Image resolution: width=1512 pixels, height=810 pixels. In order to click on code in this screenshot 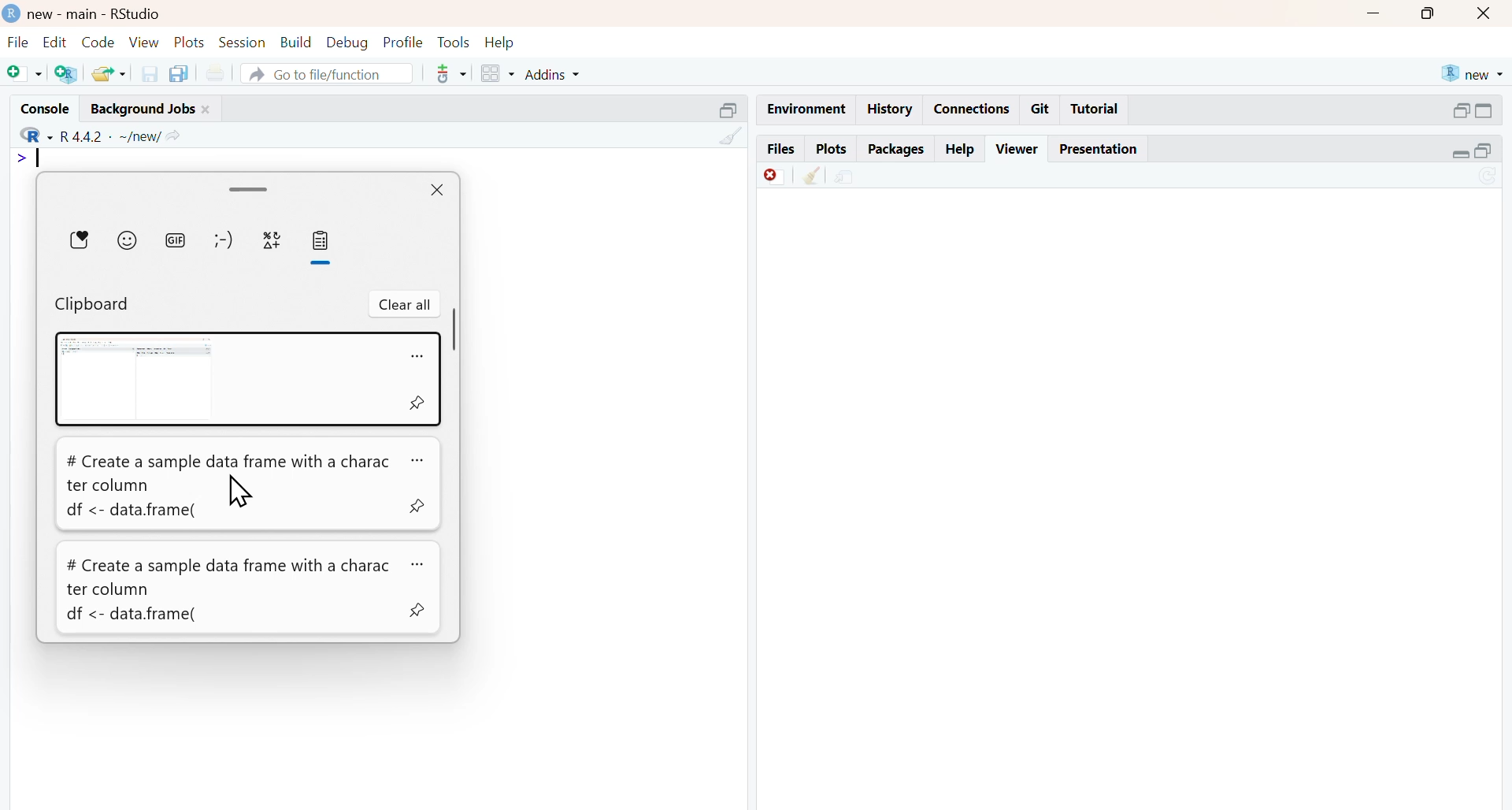, I will do `click(98, 42)`.